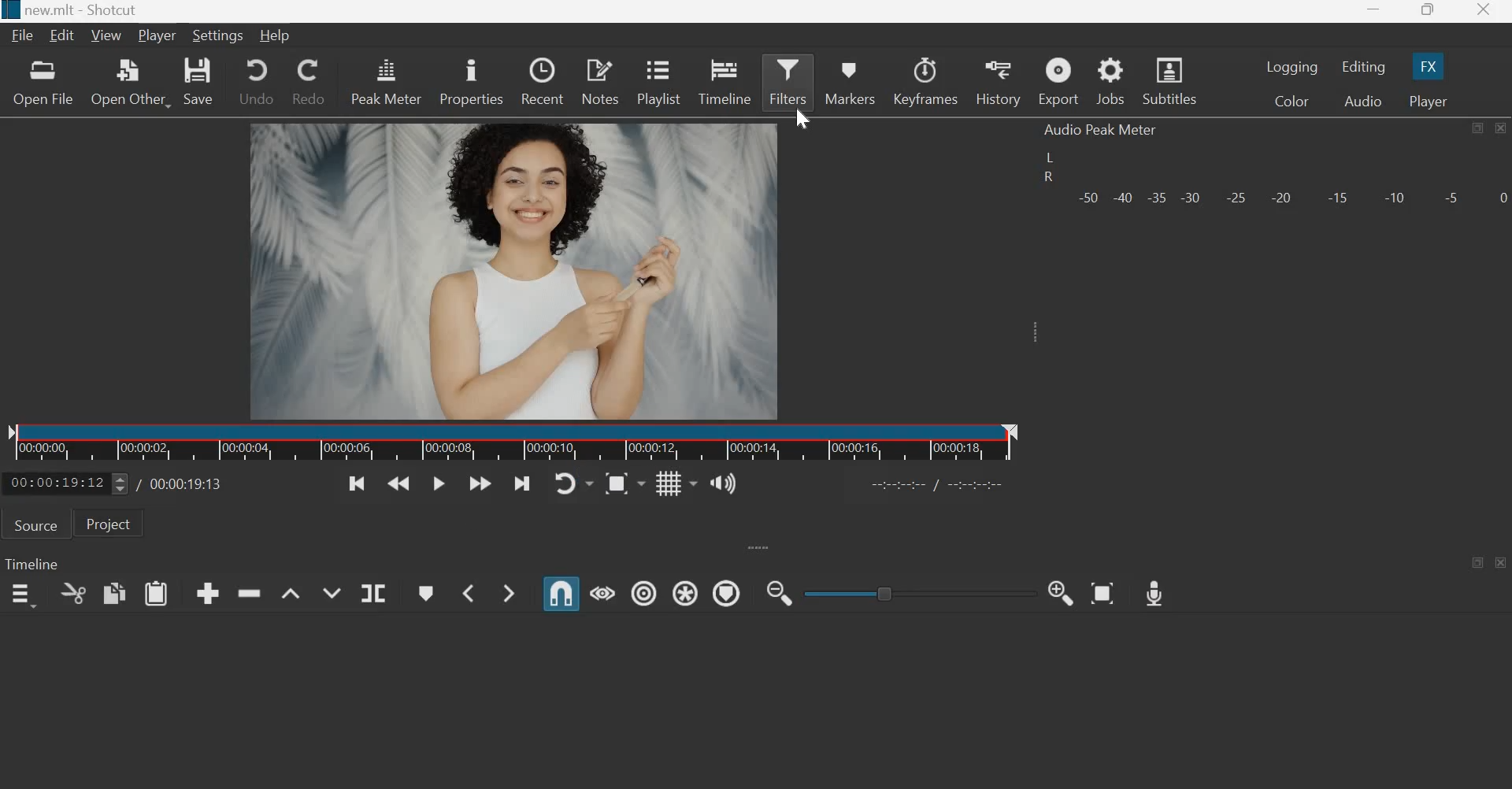 The height and width of the screenshot is (789, 1512). I want to click on Color, so click(1295, 102).